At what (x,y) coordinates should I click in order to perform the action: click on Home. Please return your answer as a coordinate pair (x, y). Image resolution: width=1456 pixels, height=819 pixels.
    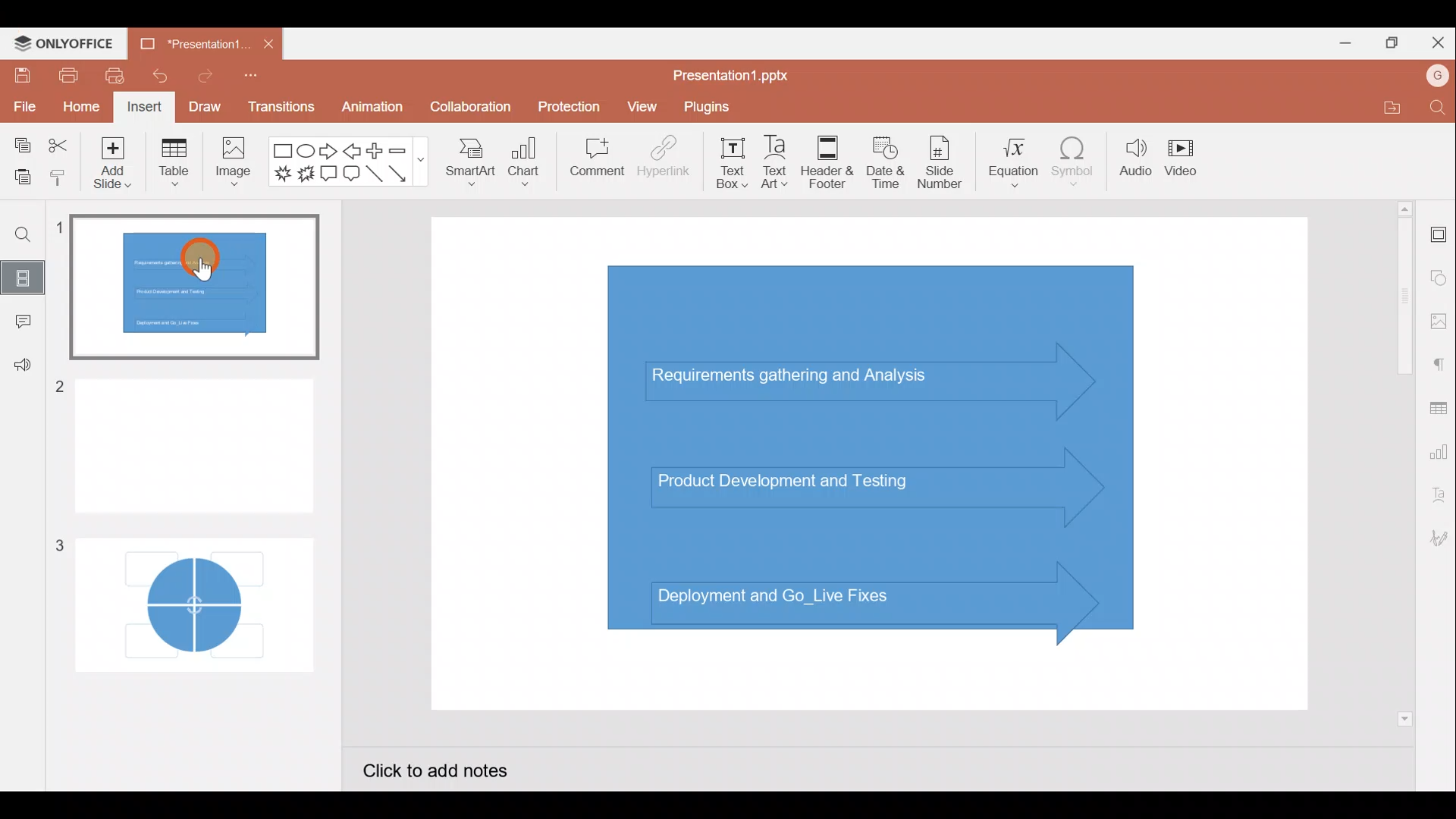
    Looking at the image, I should click on (80, 108).